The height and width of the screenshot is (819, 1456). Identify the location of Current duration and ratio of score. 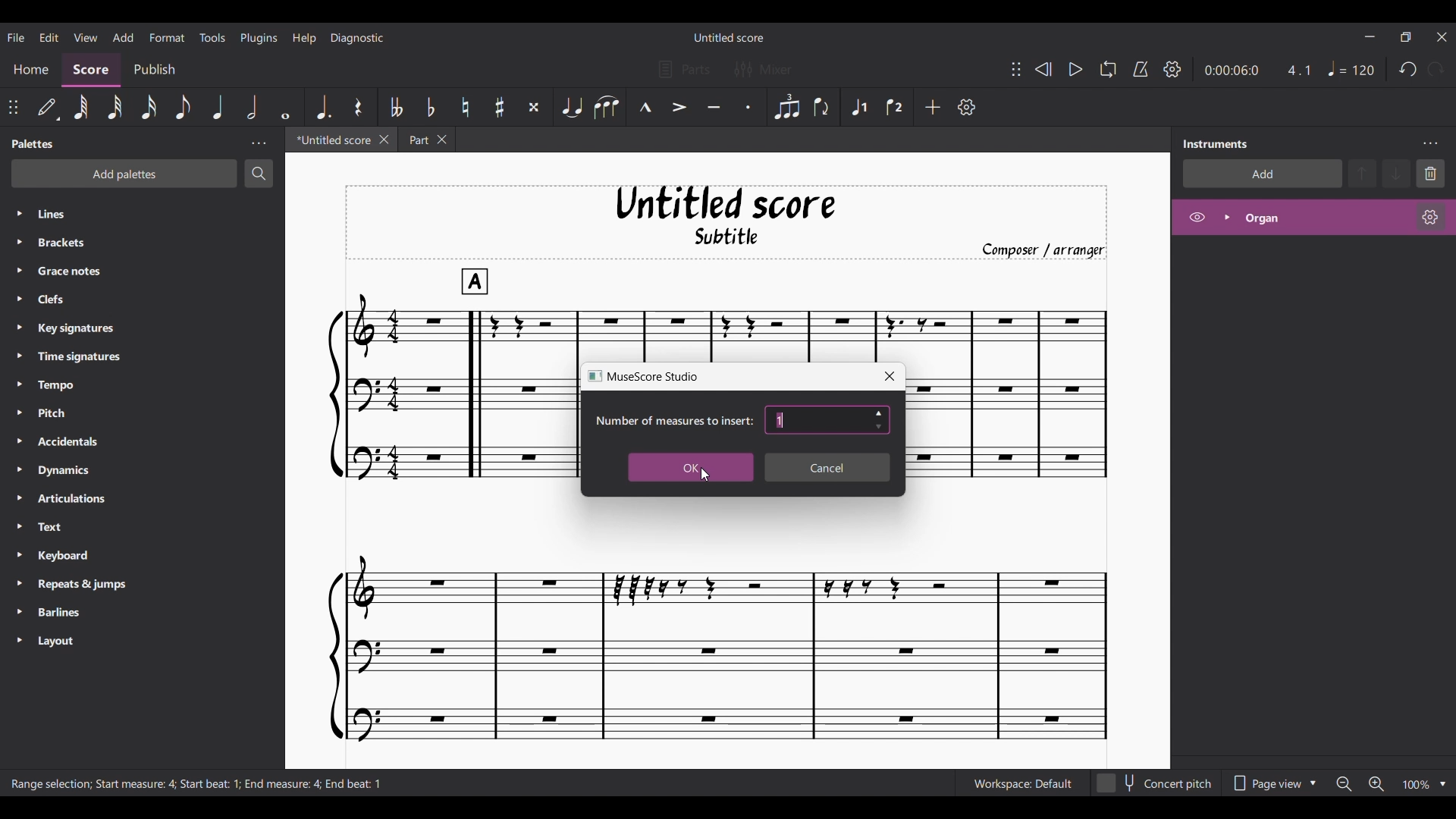
(1257, 70).